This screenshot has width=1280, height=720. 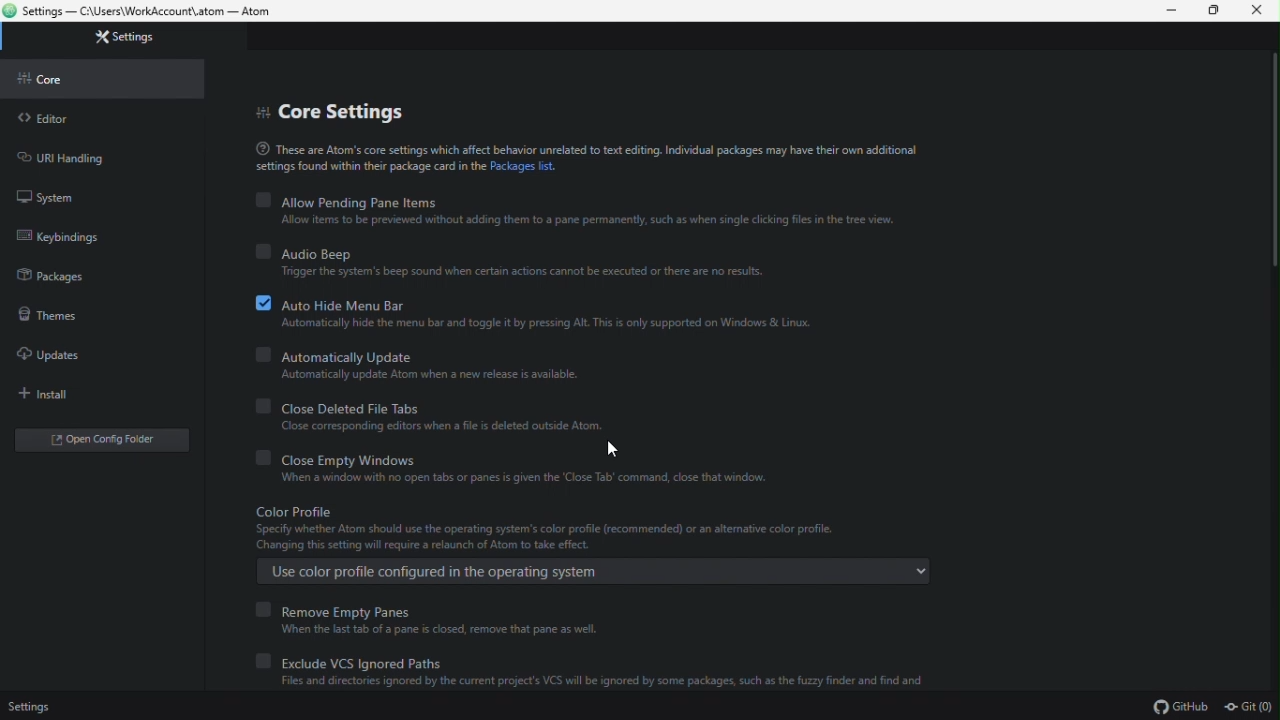 What do you see at coordinates (585, 607) in the screenshot?
I see `remove empty panes` at bounding box center [585, 607].